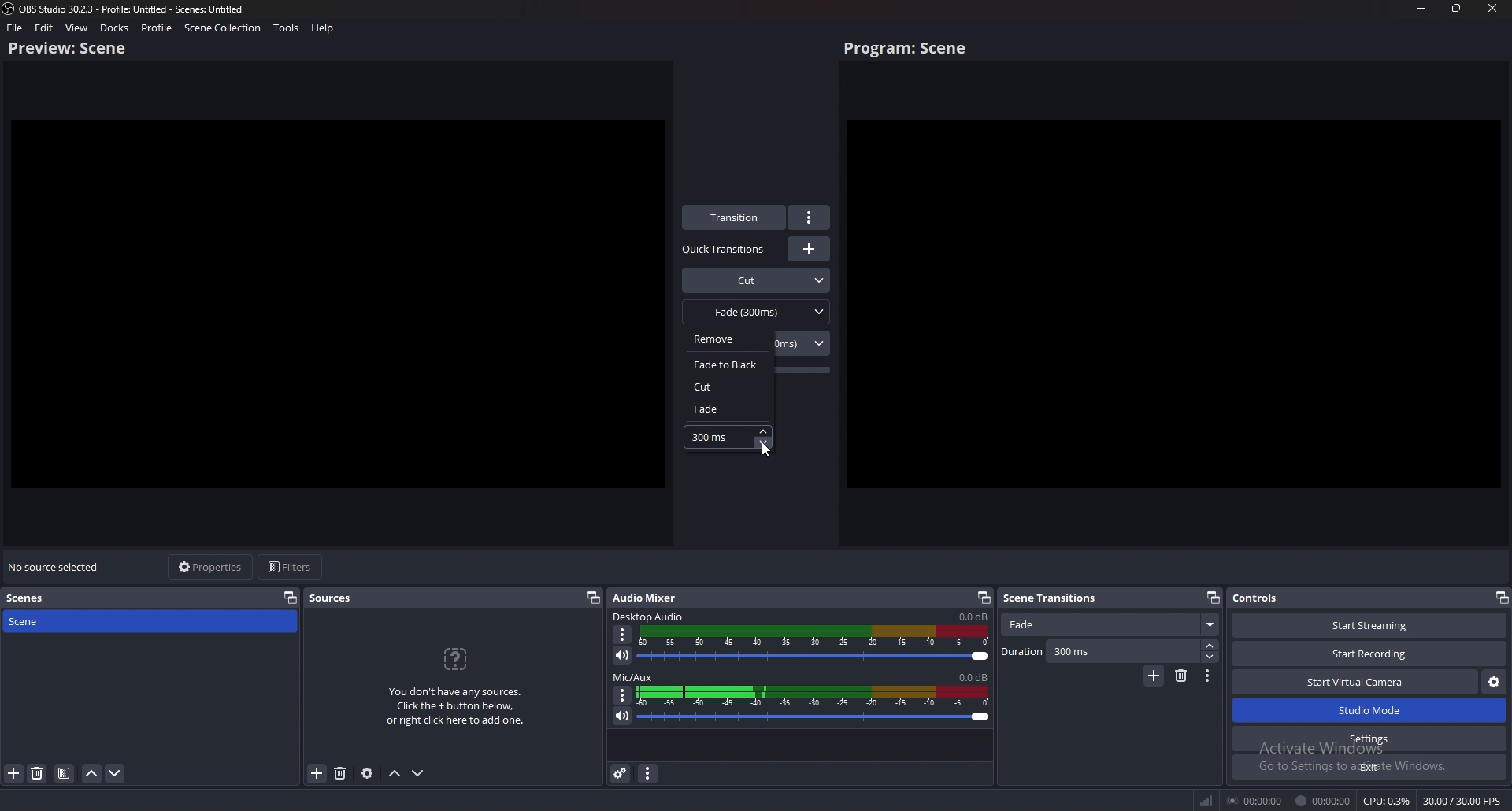 The height and width of the screenshot is (811, 1512). Describe the element at coordinates (135, 8) in the screenshot. I see `) OBS 30.2.3 - Profile: Untitled - Scenes: Untitled` at that location.